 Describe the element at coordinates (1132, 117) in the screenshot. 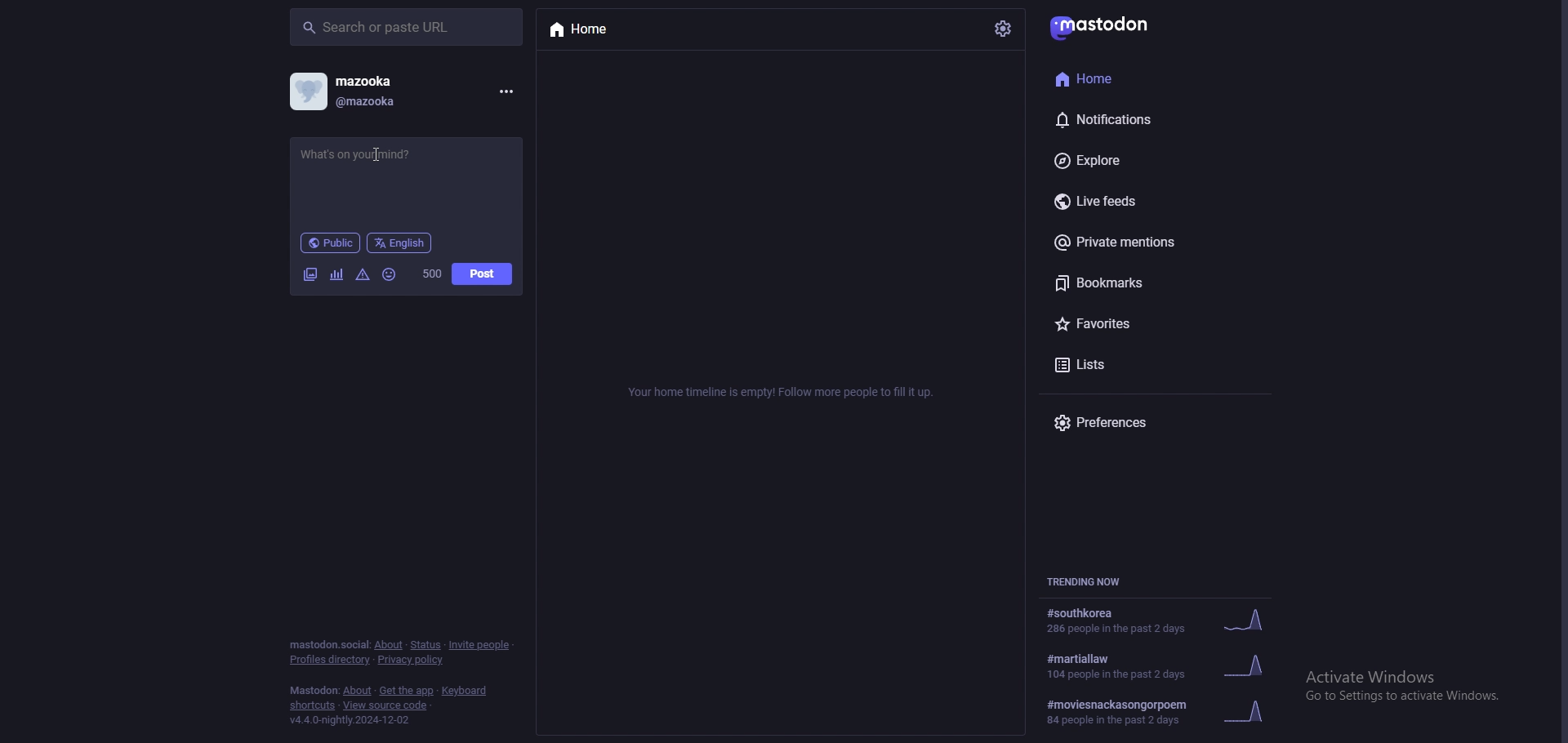

I see `notifications` at that location.